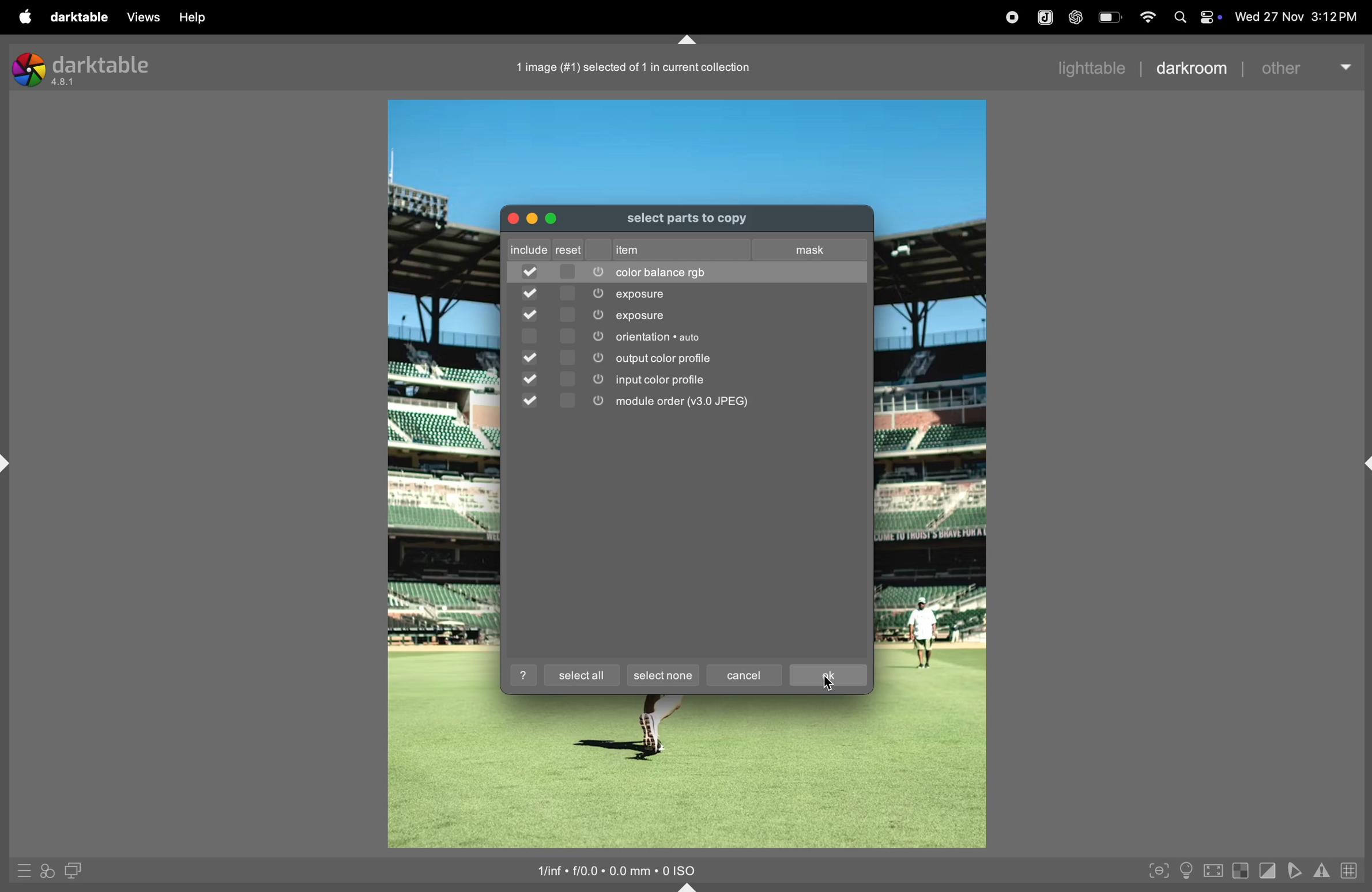  I want to click on darkroom, so click(1192, 69).